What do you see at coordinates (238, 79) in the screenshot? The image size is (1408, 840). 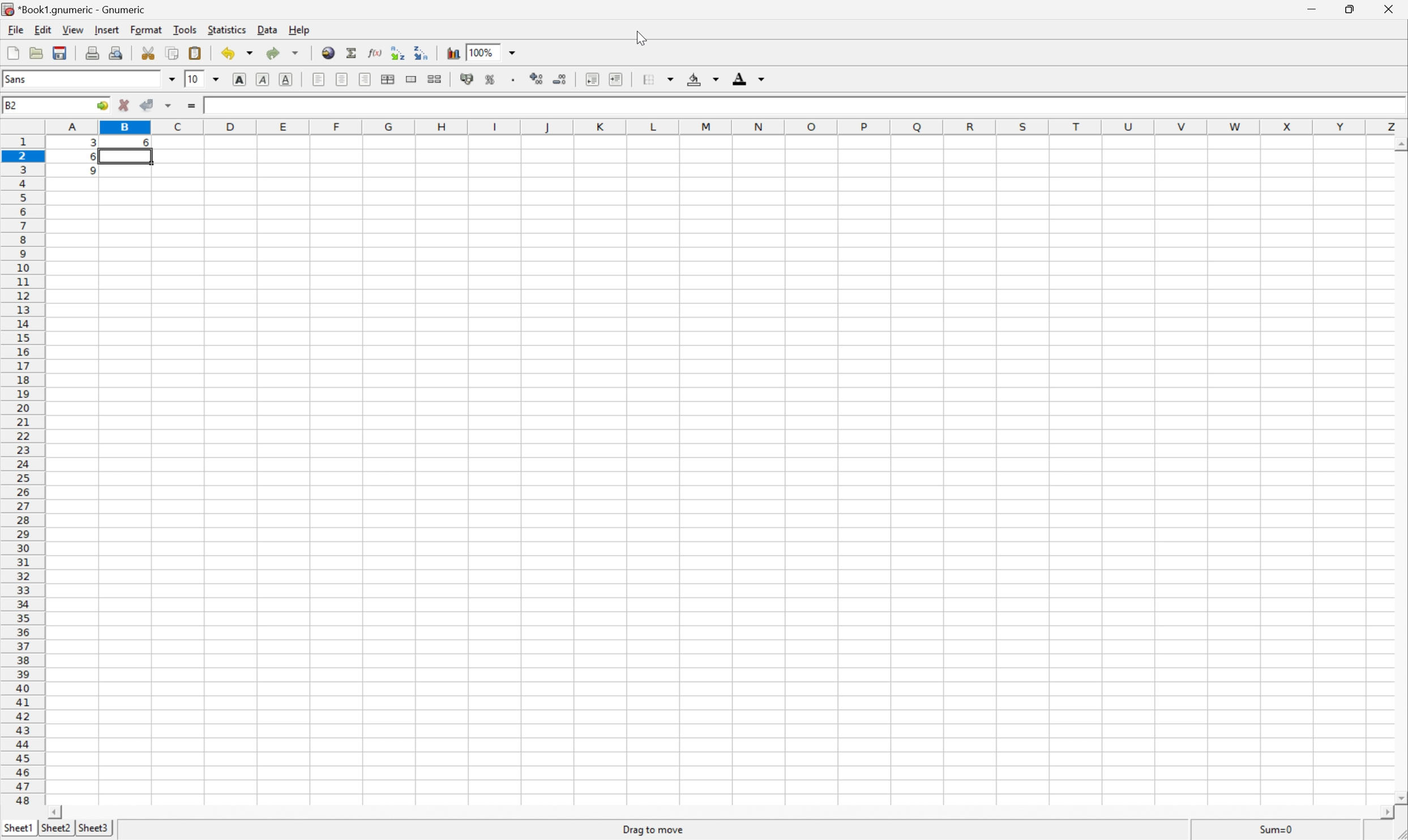 I see `Bold` at bounding box center [238, 79].